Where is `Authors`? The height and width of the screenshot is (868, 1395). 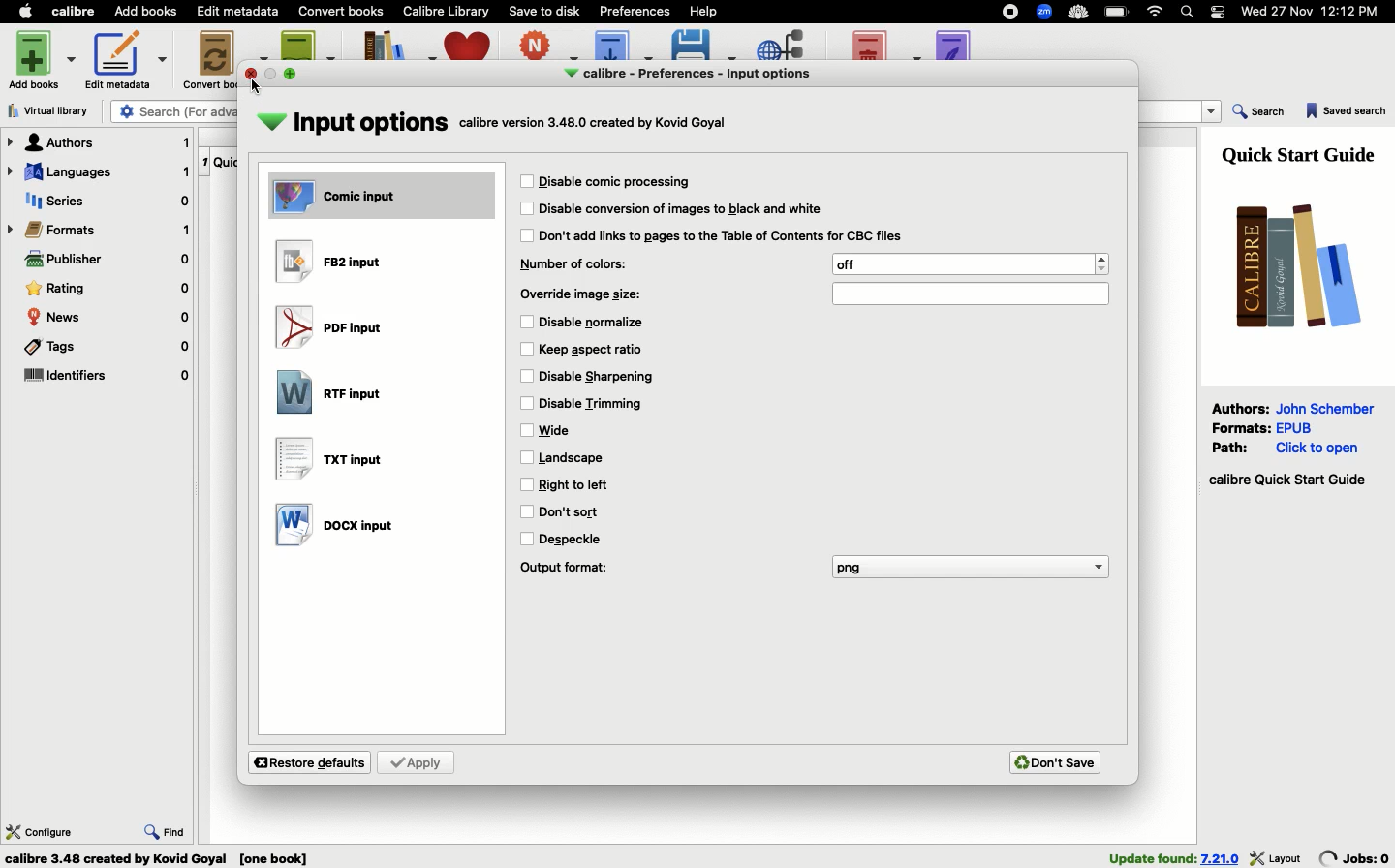 Authors is located at coordinates (1241, 408).